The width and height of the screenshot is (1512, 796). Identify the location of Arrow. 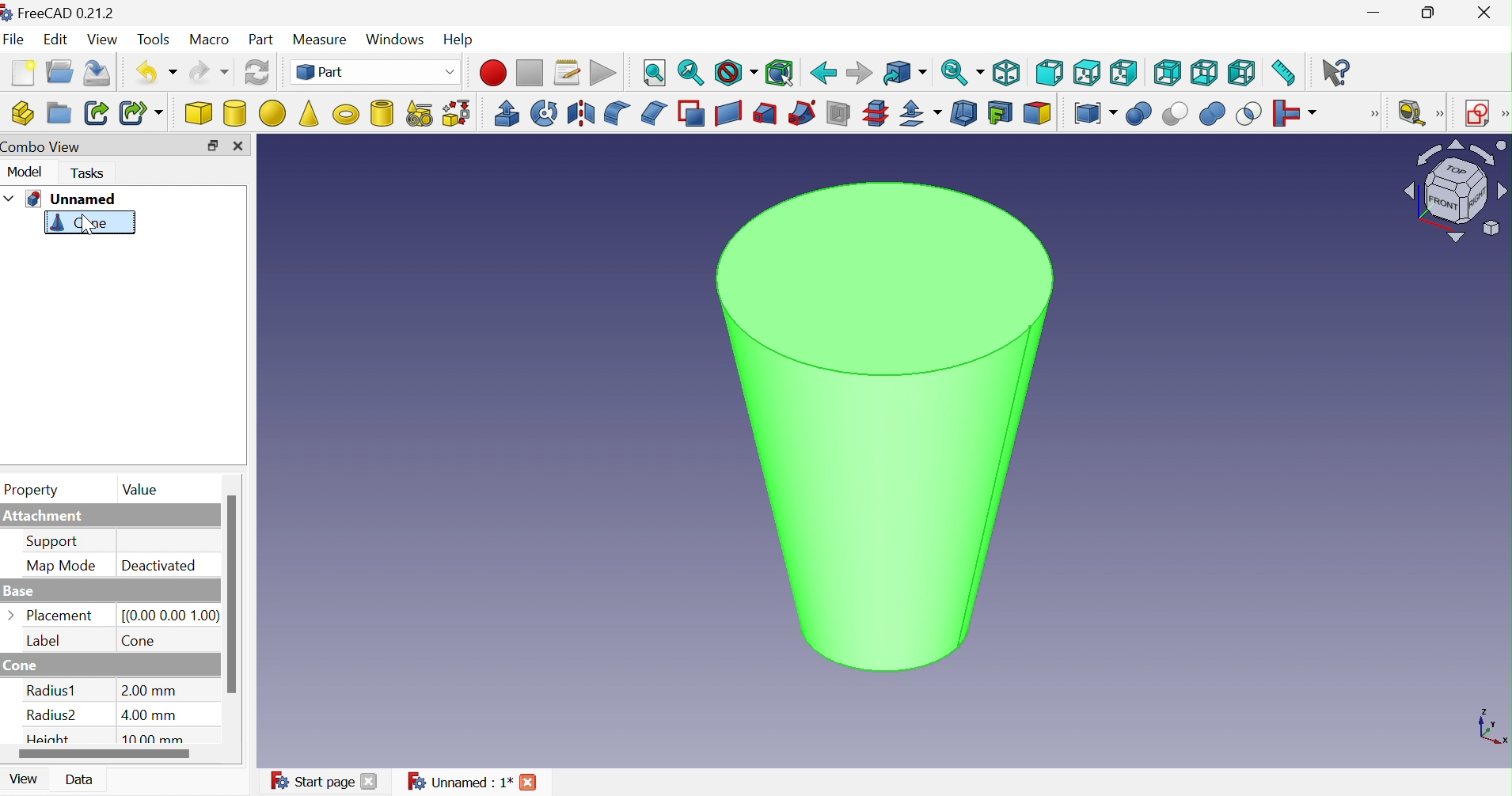
(12, 613).